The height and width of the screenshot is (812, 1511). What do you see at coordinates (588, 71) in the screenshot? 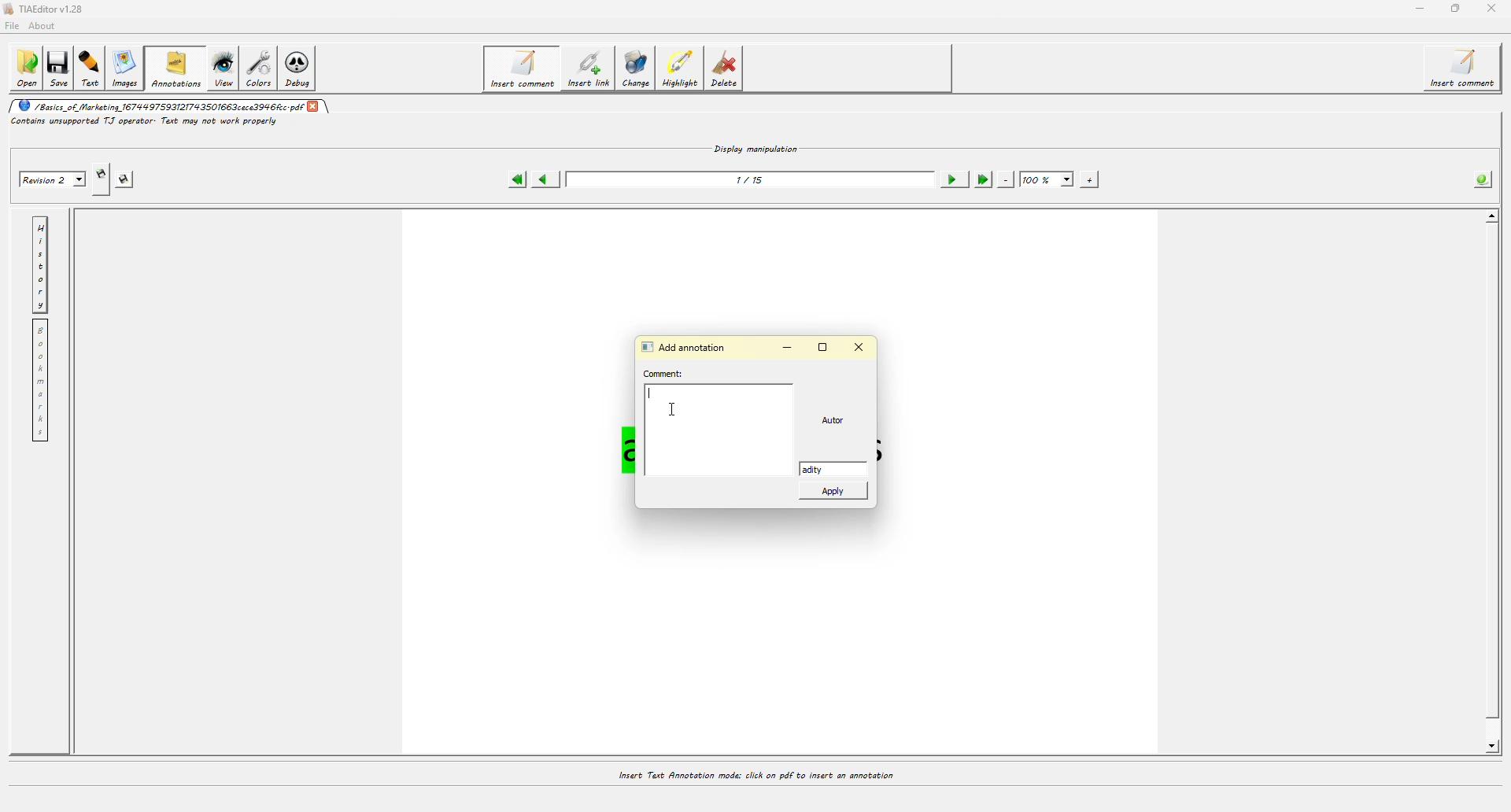
I see `insert link` at bounding box center [588, 71].